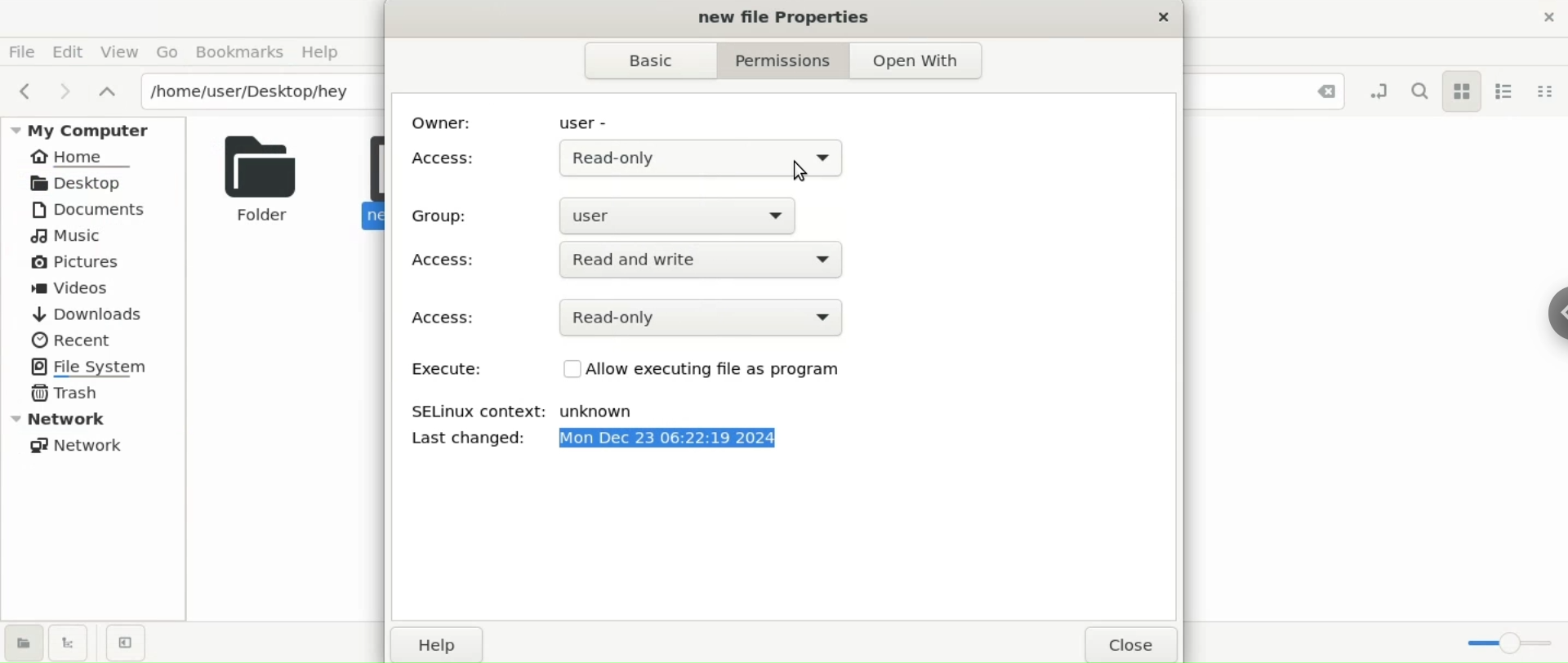  I want to click on Folder, so click(256, 177).